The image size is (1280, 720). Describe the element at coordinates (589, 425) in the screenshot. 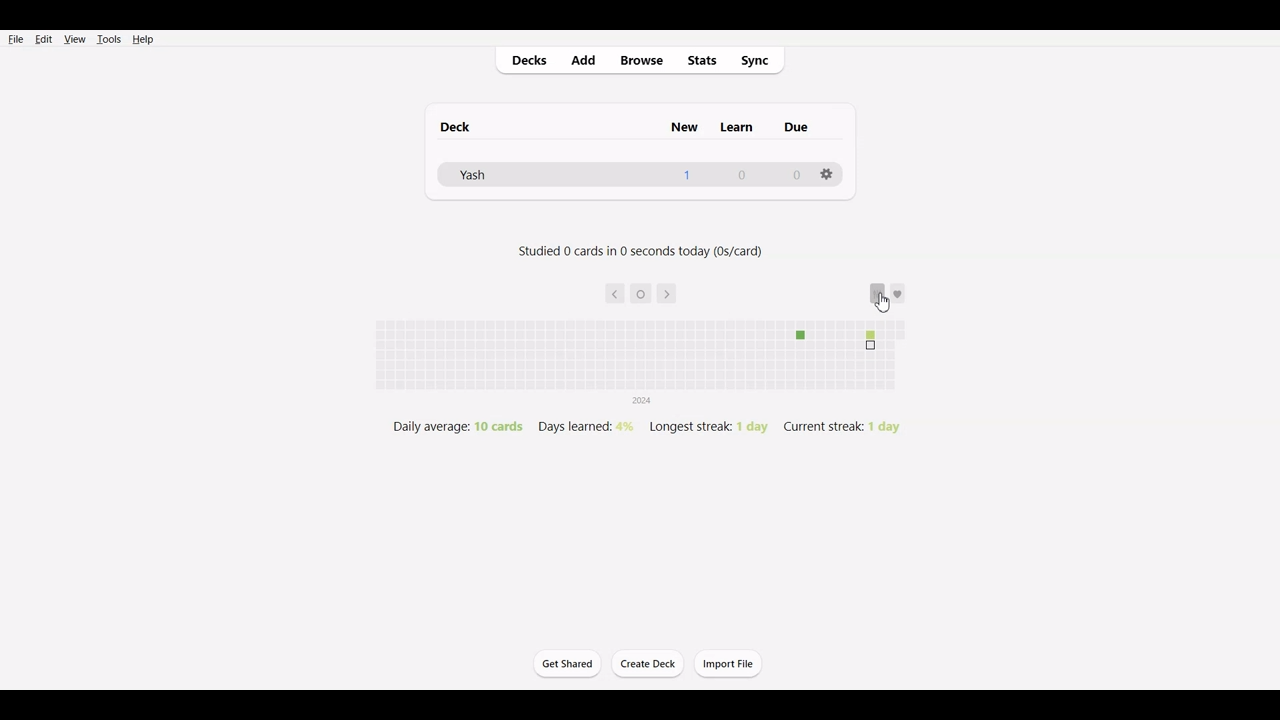

I see `Days learned: 4%` at that location.